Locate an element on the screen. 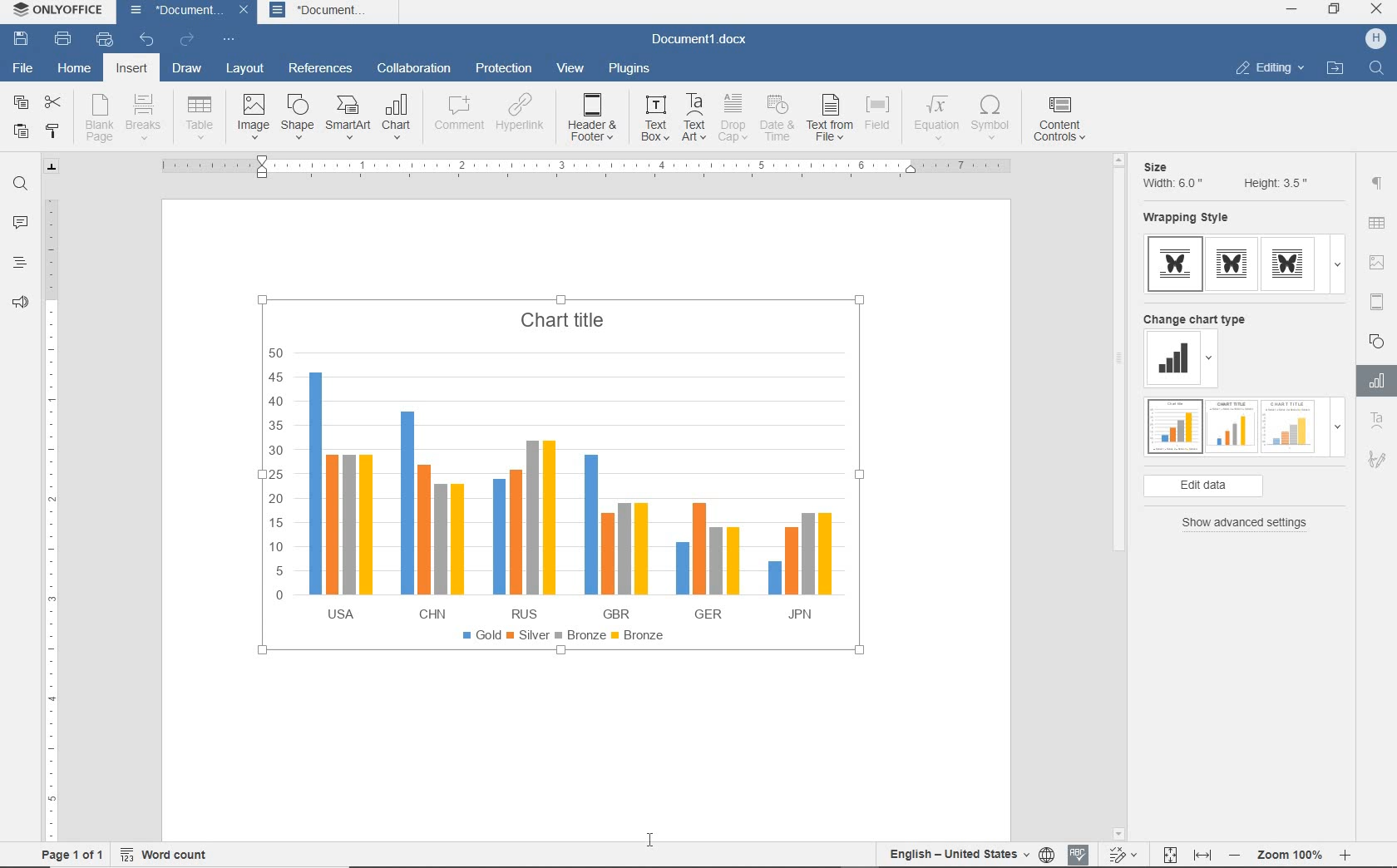 This screenshot has width=1397, height=868. restore down is located at coordinates (1335, 11).